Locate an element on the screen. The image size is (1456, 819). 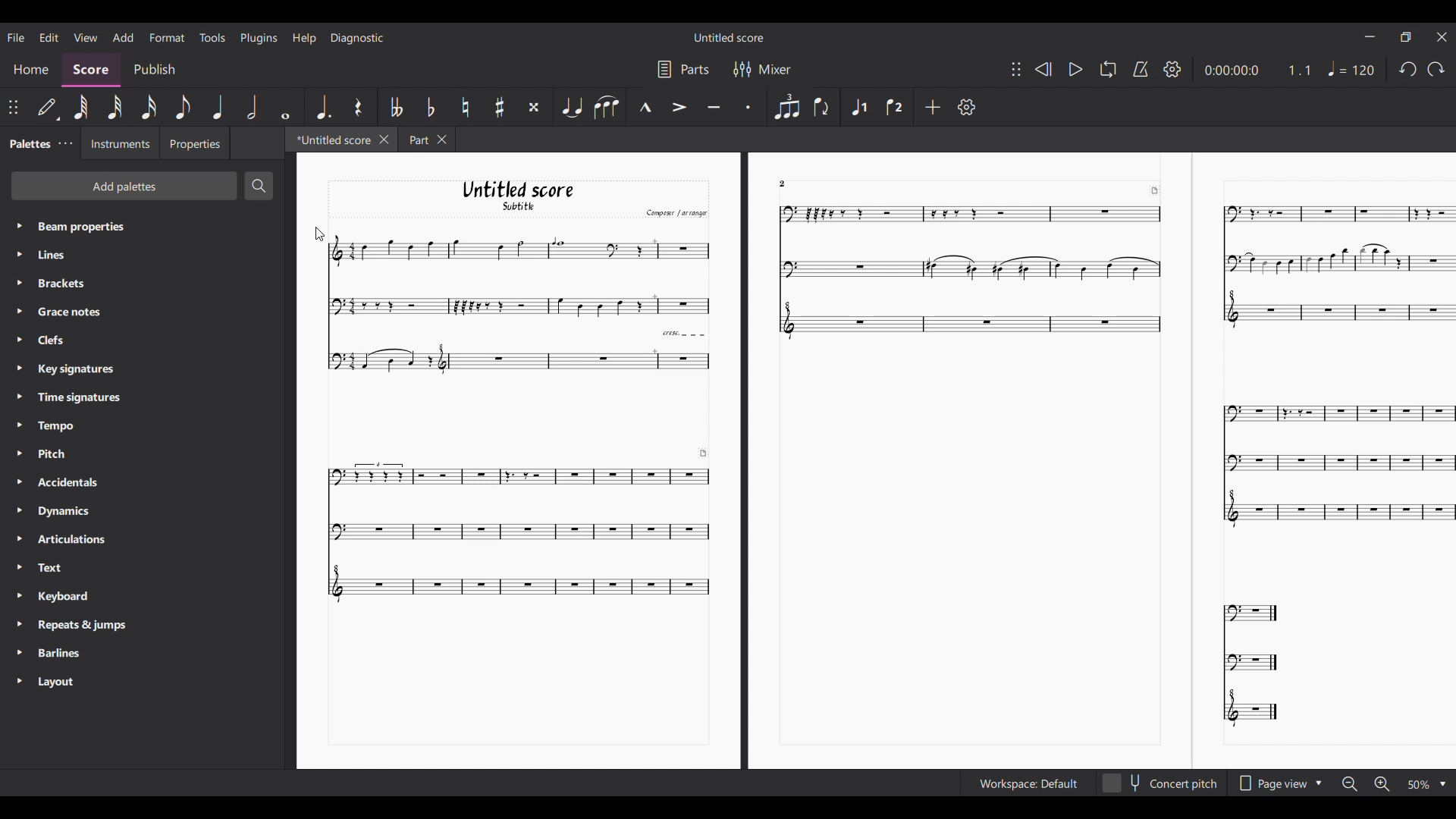
Format is located at coordinates (168, 37).